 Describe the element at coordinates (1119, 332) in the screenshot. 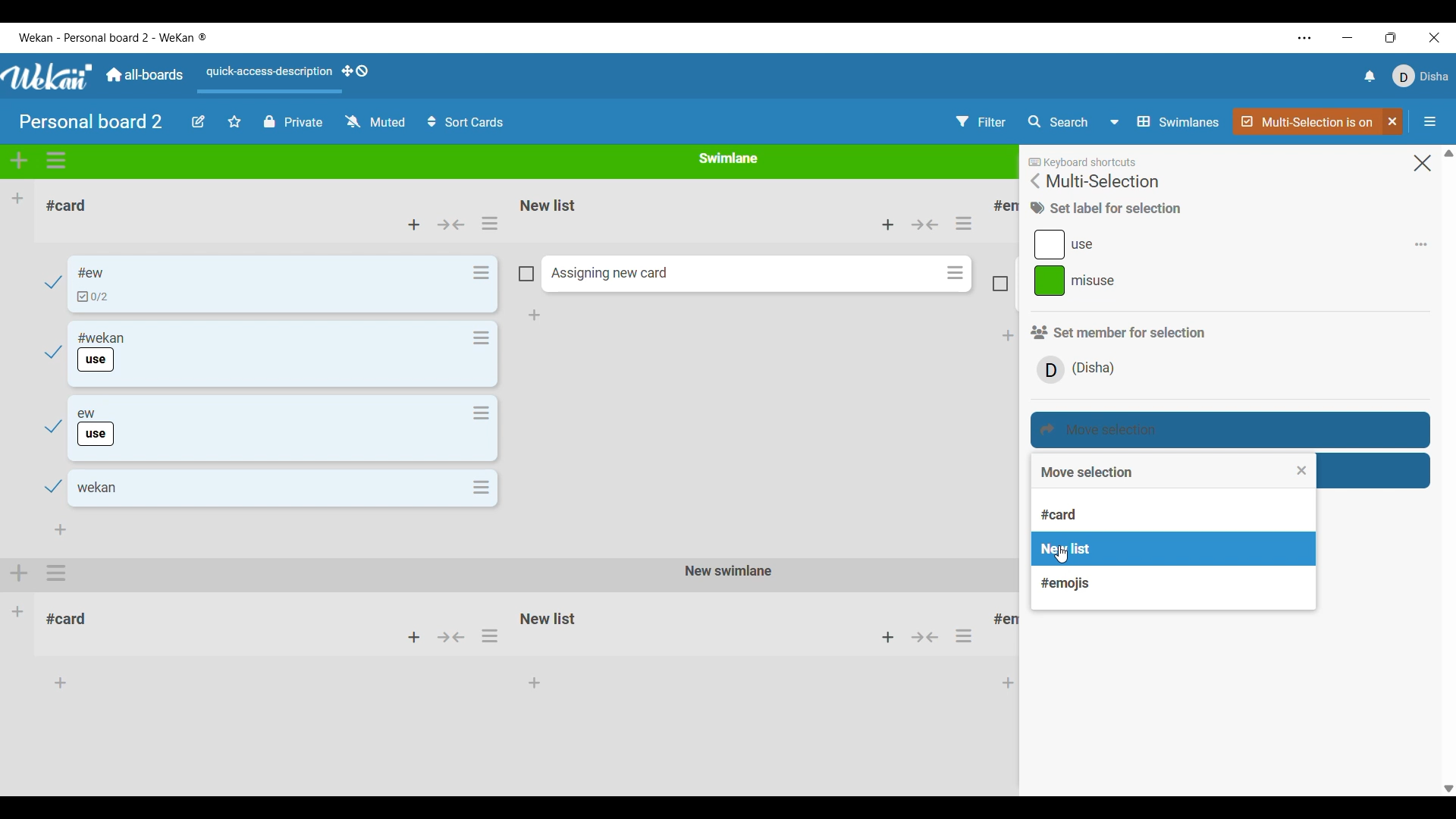

I see `Section title` at that location.